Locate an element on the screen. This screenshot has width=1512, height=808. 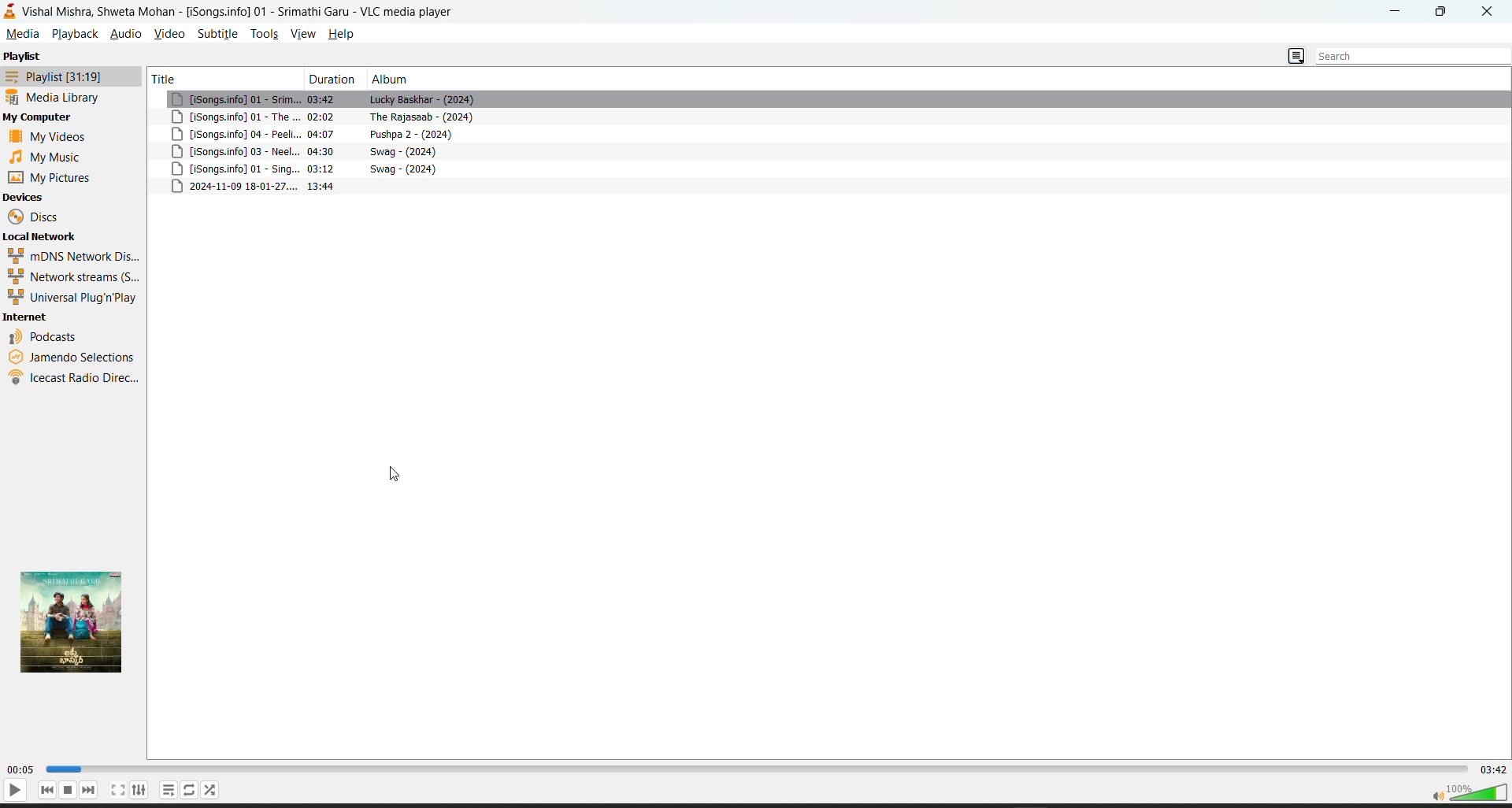
universal plug n play is located at coordinates (73, 297).